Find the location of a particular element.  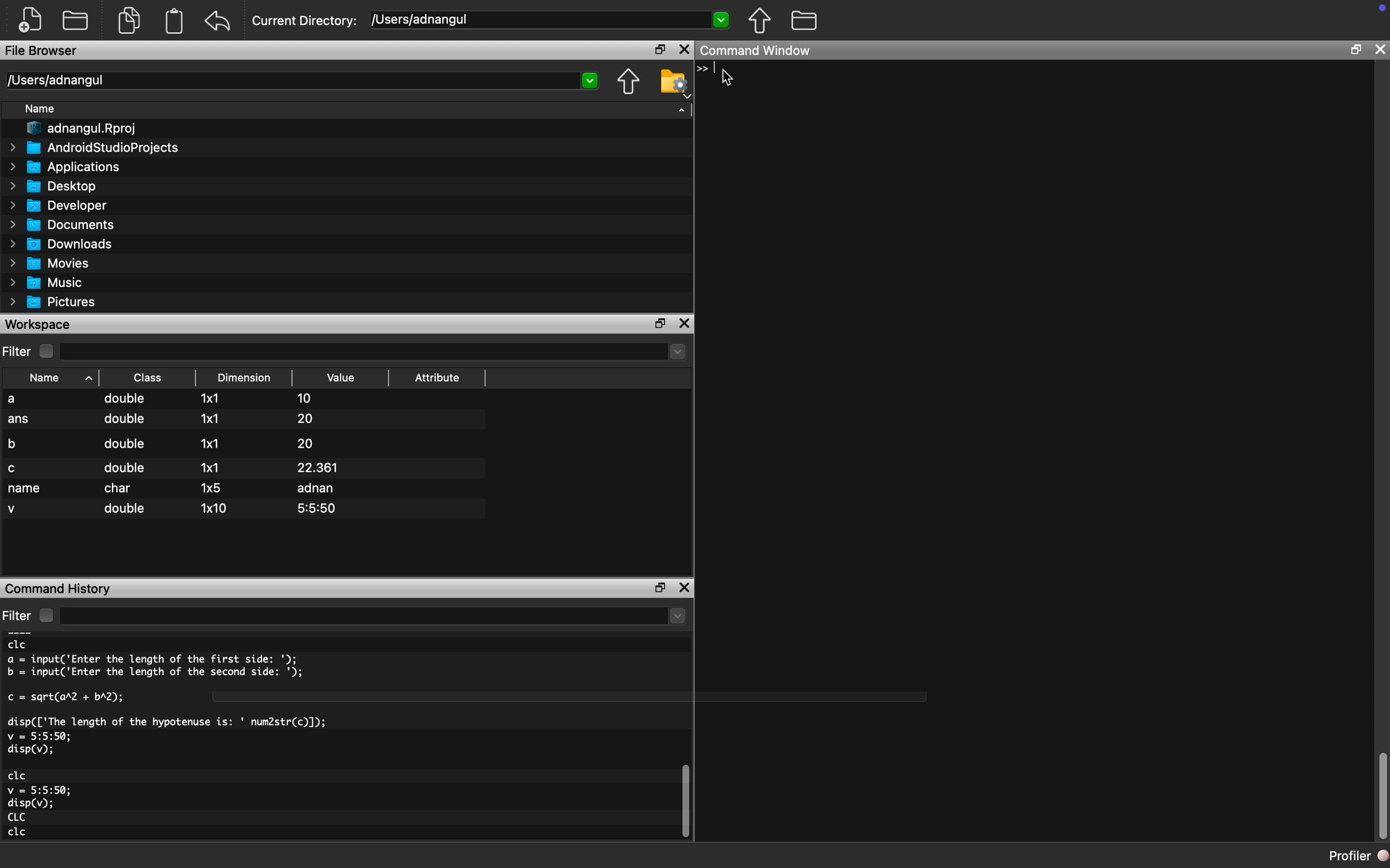

Dropdown is located at coordinates (723, 21).